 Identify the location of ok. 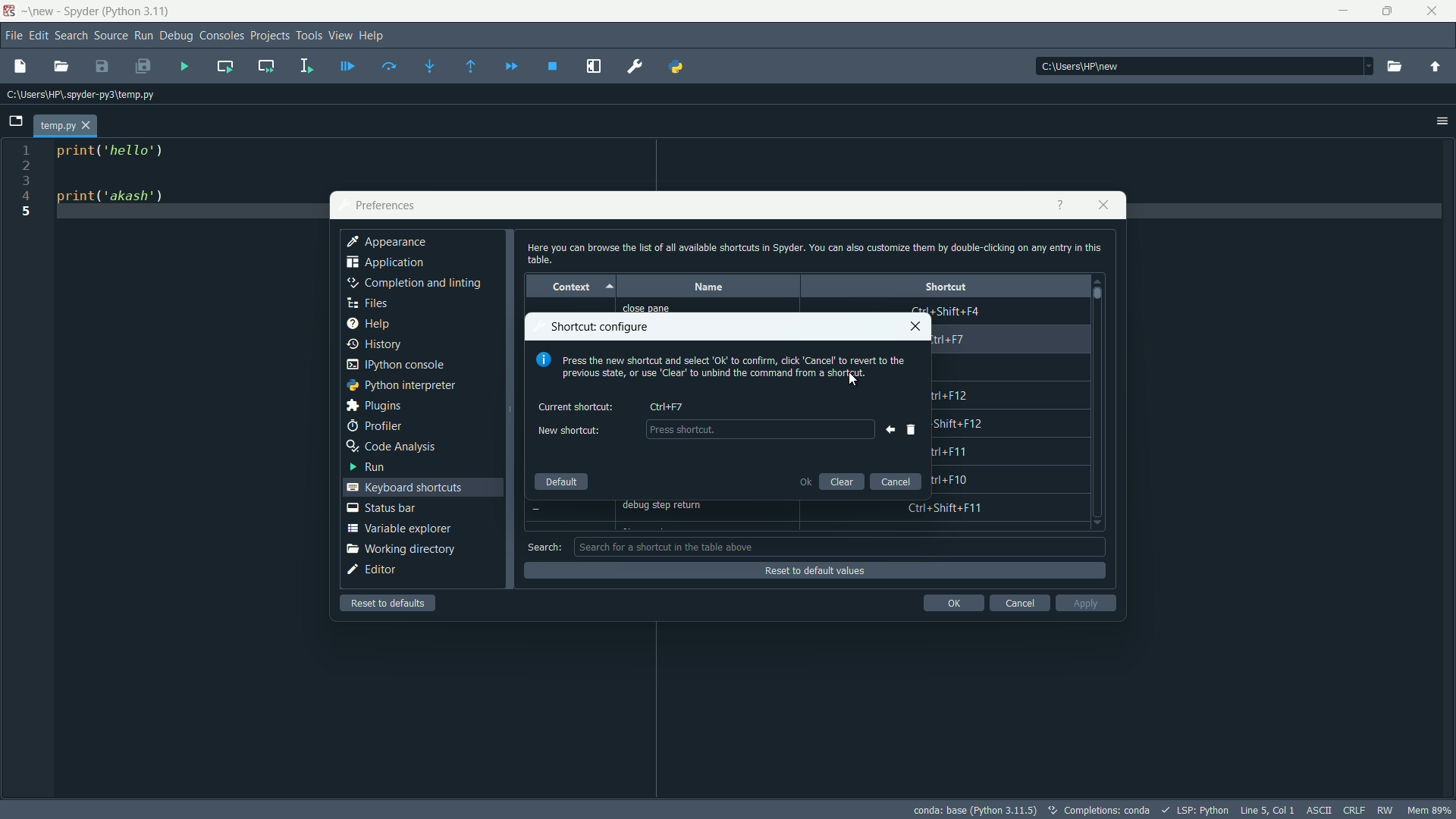
(804, 481).